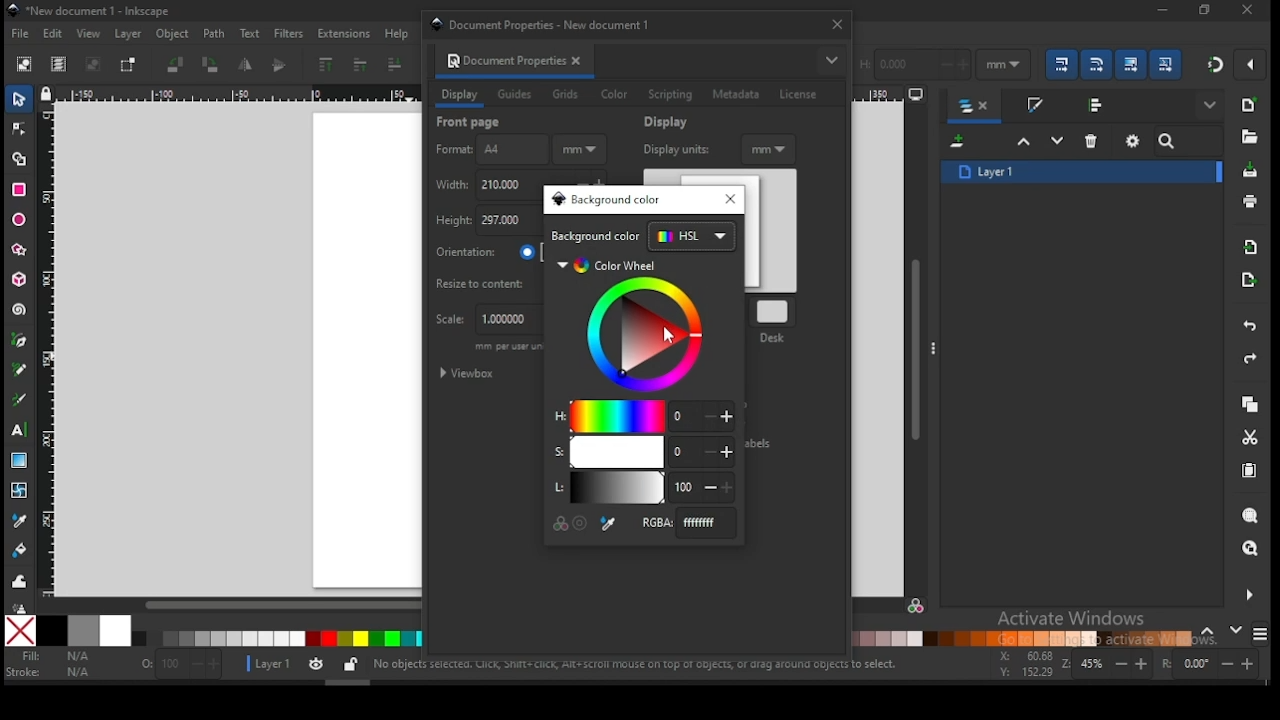 The height and width of the screenshot is (720, 1280). Describe the element at coordinates (669, 336) in the screenshot. I see `cursor` at that location.